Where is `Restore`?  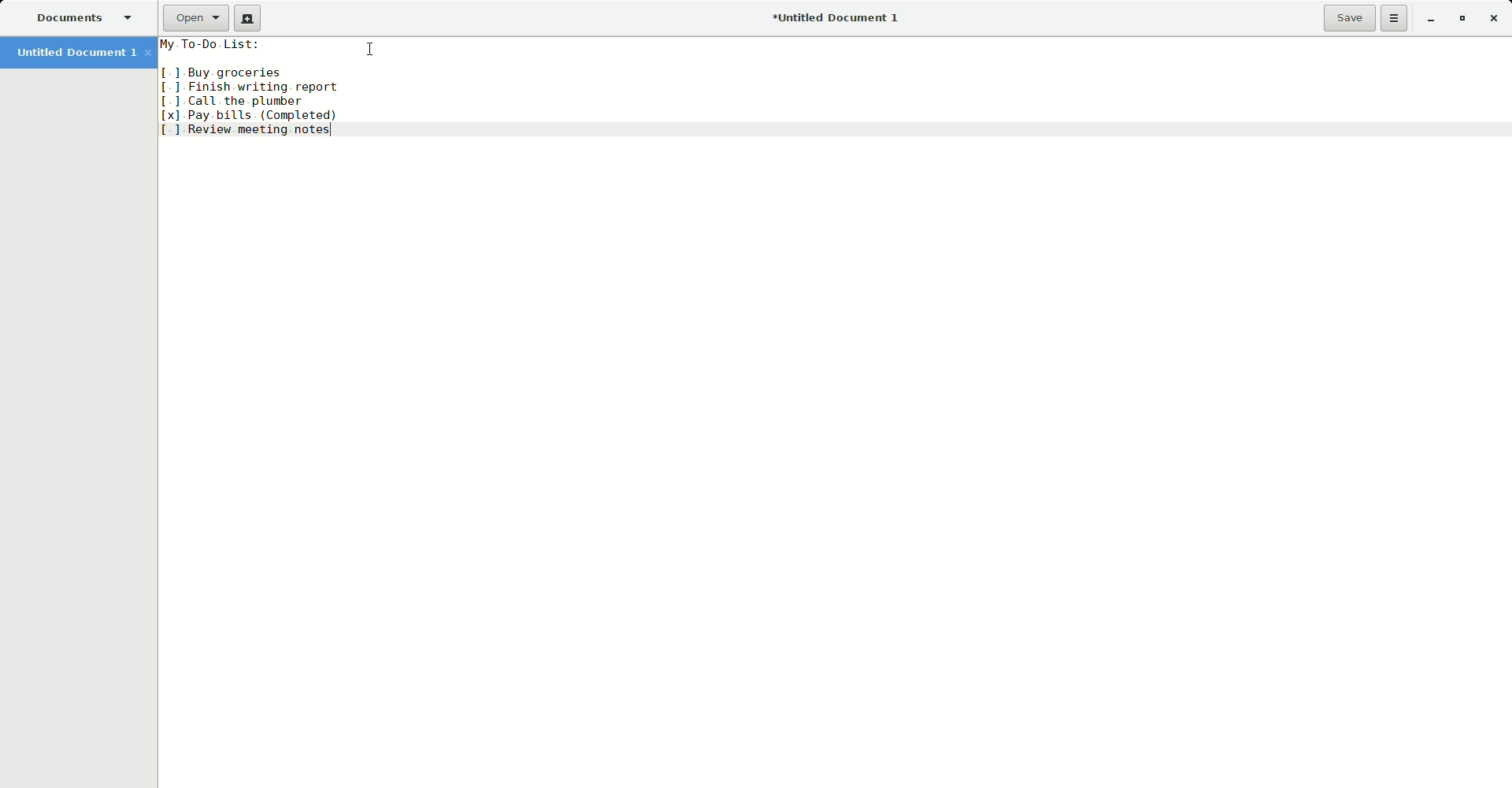
Restore is located at coordinates (1460, 18).